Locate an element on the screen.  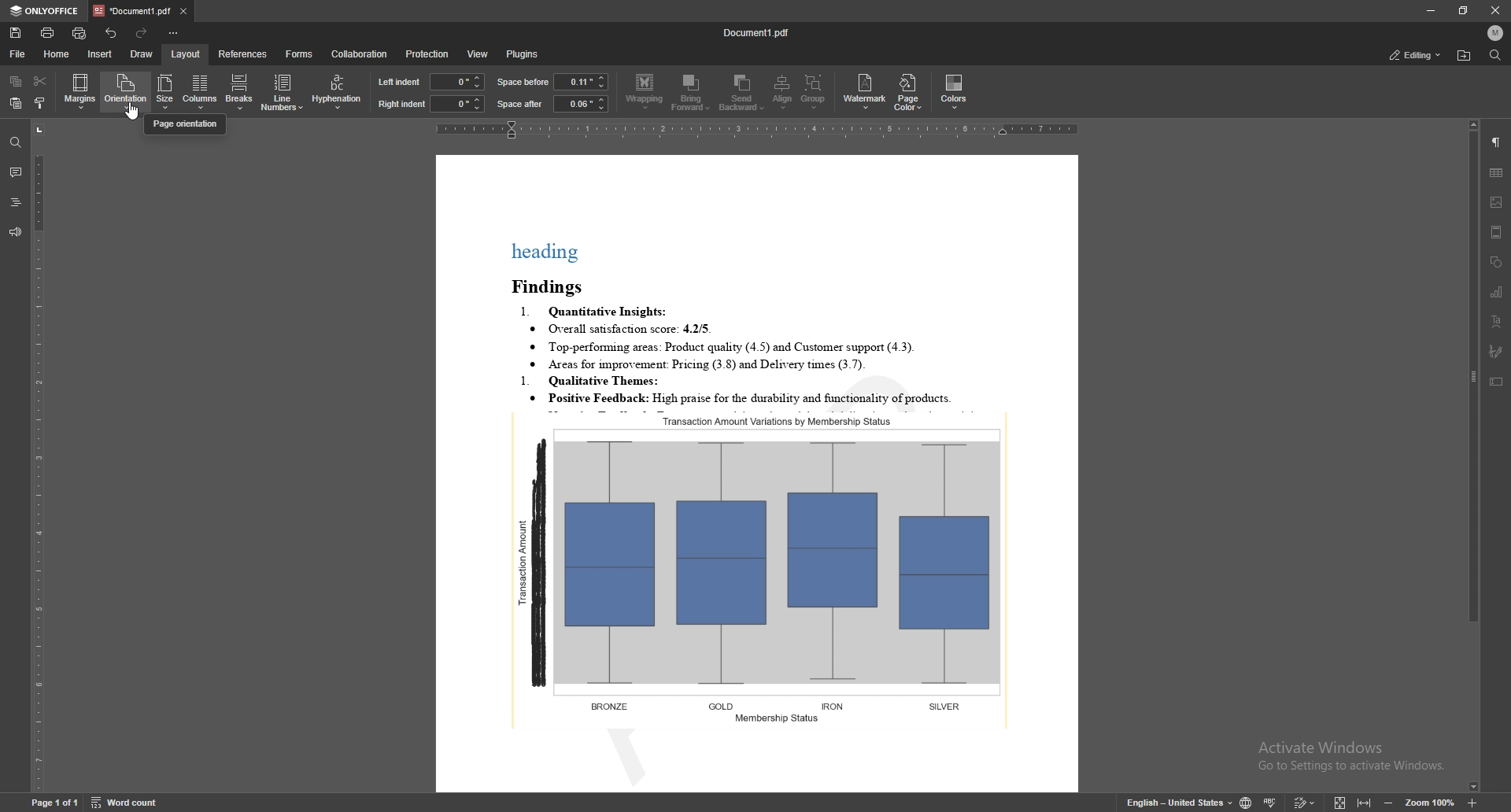
colors is located at coordinates (955, 90).